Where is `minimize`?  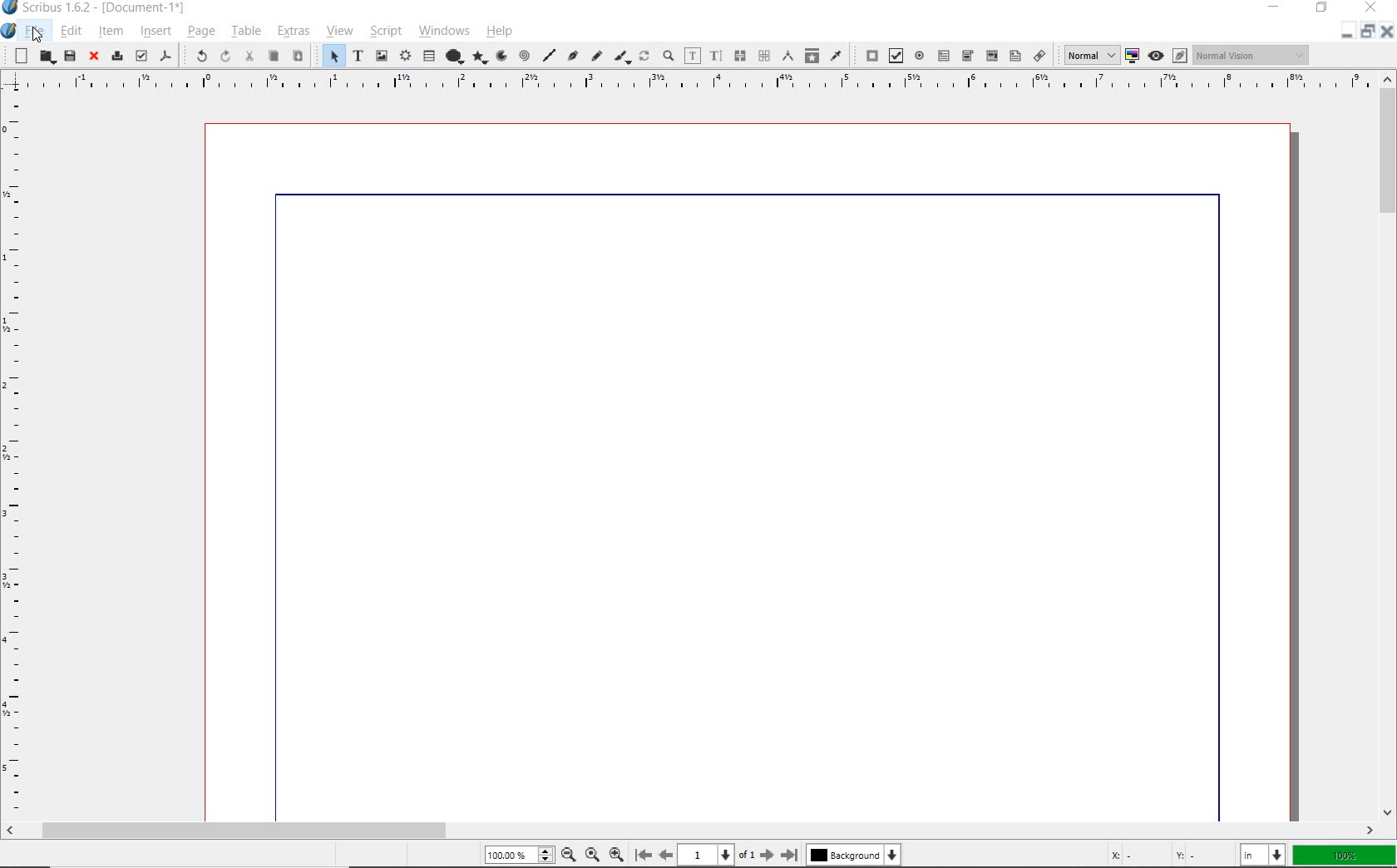 minimize is located at coordinates (1278, 7).